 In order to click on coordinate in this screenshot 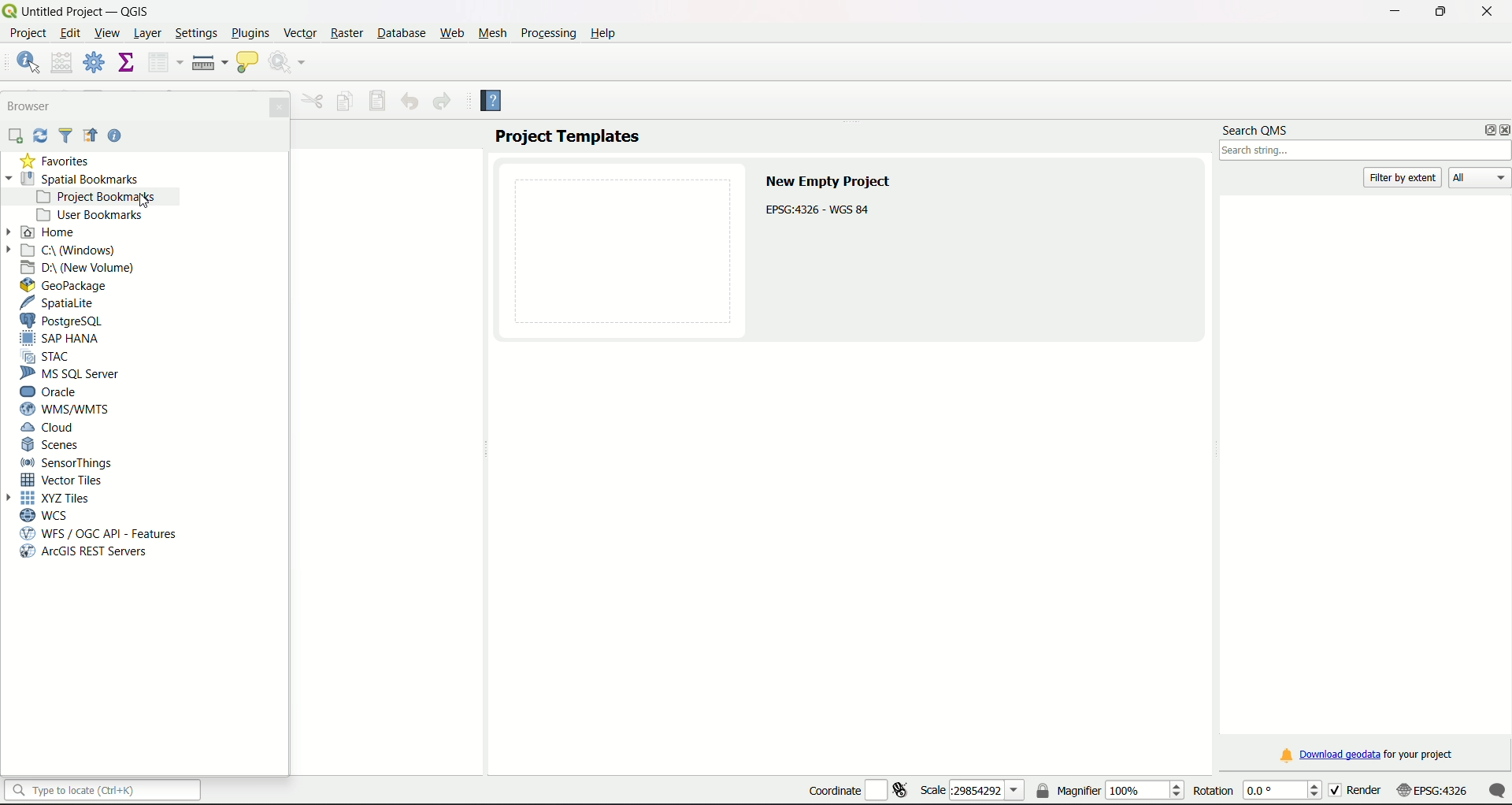, I will do `click(857, 787)`.